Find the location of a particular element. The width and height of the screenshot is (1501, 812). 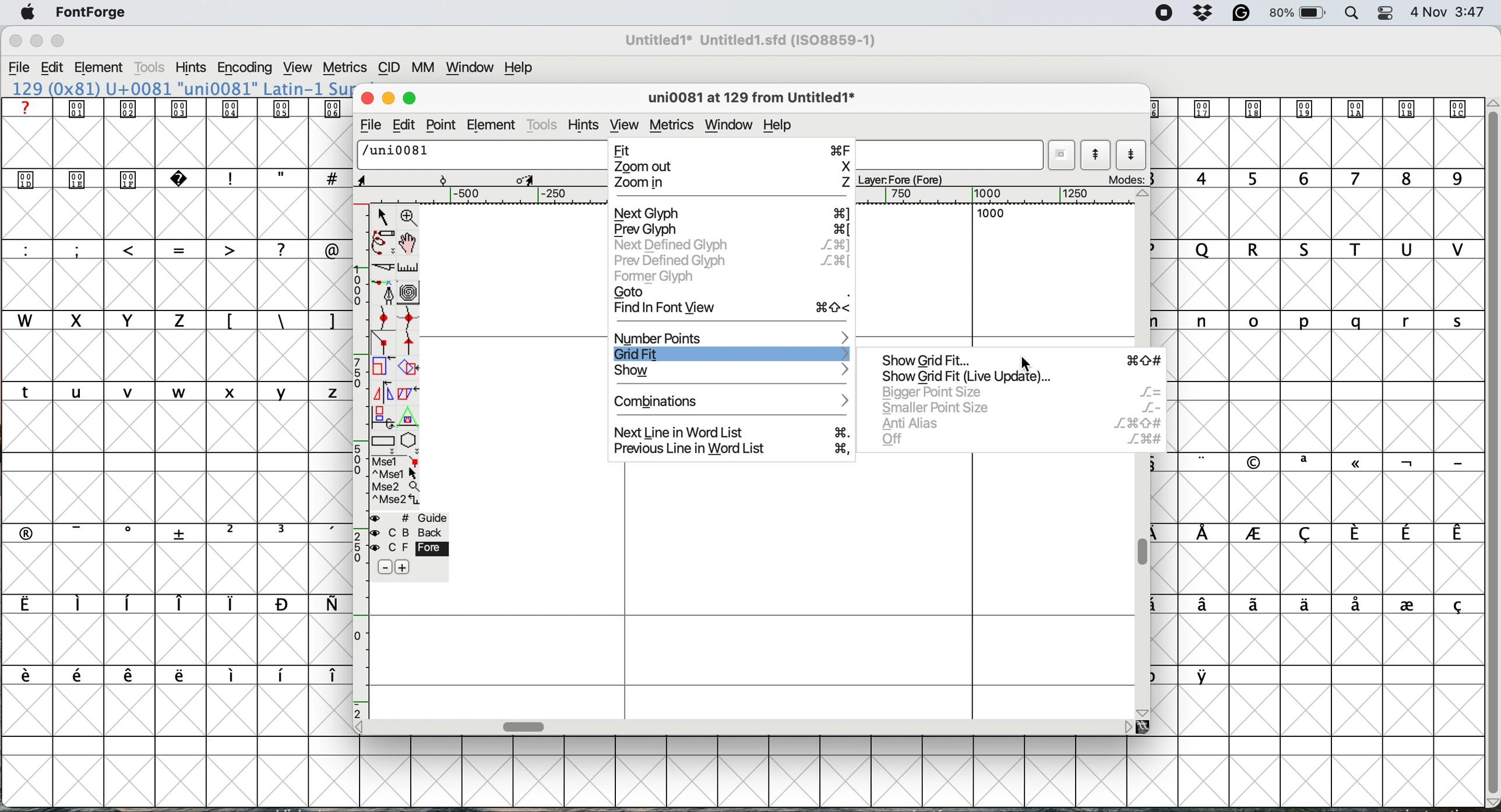

cut splines in two is located at coordinates (383, 266).